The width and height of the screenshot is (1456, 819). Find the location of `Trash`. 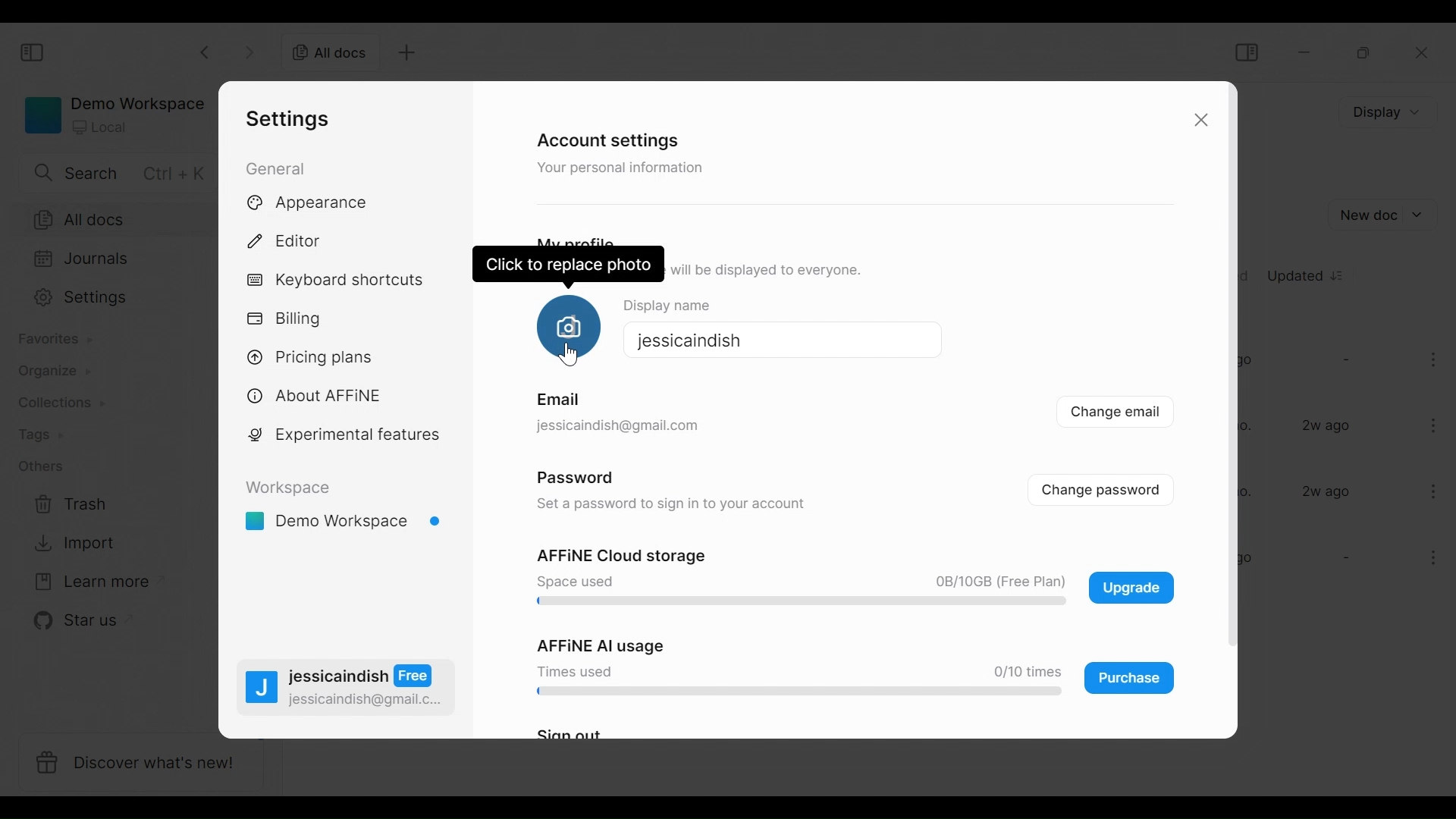

Trash is located at coordinates (67, 504).